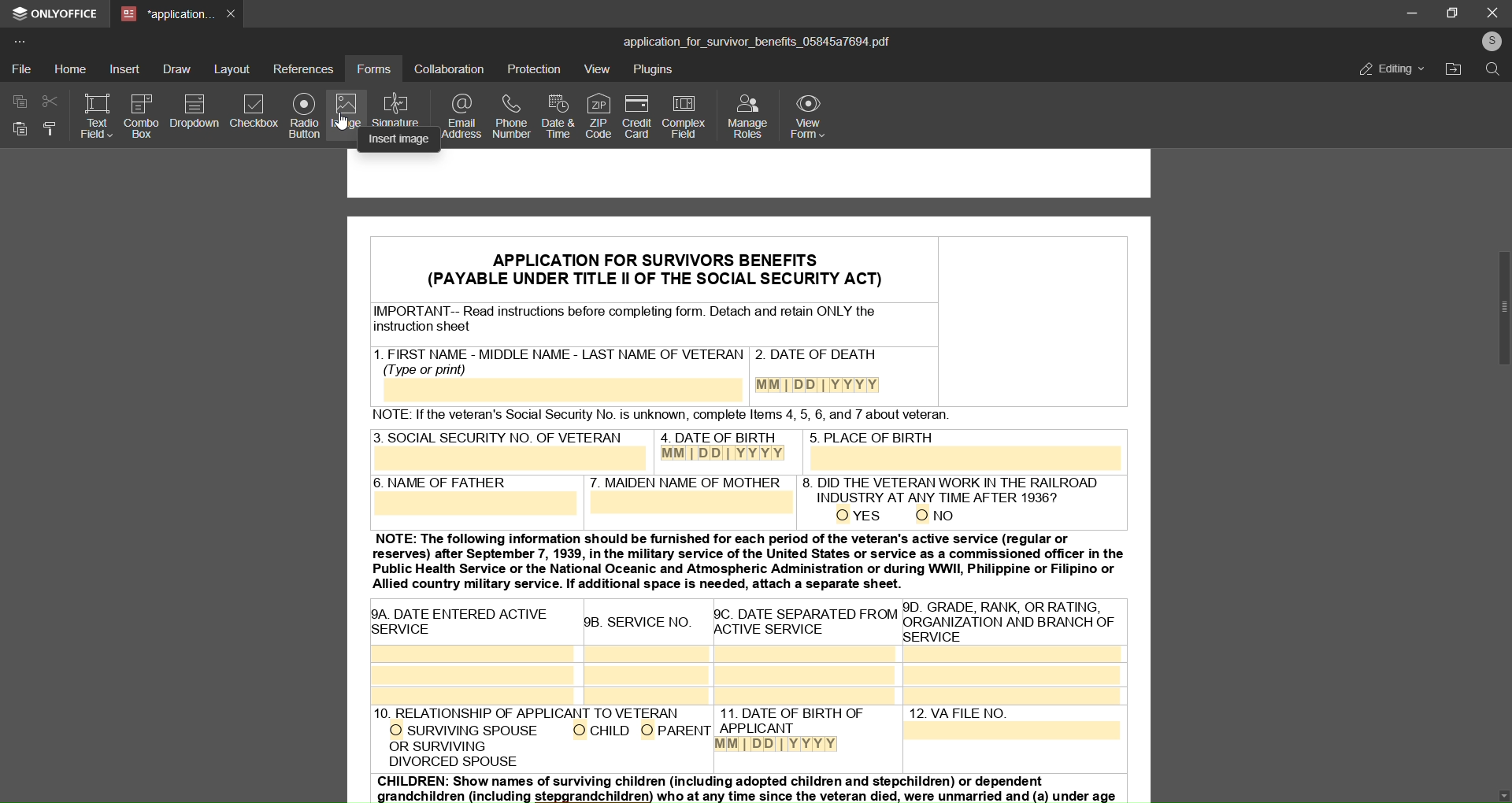 Image resolution: width=1512 pixels, height=803 pixels. Describe the element at coordinates (304, 68) in the screenshot. I see `references` at that location.